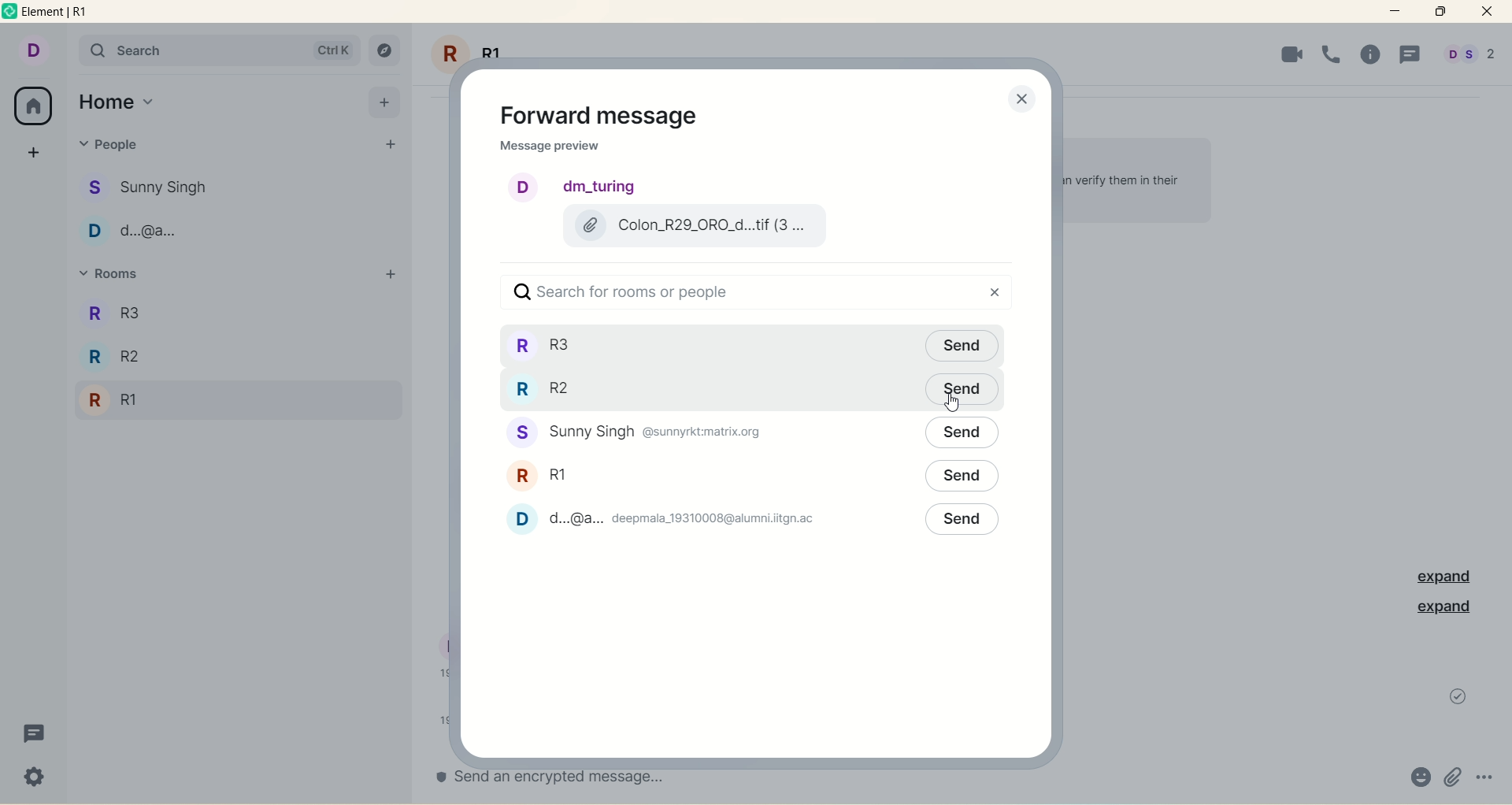 The image size is (1512, 805). Describe the element at coordinates (609, 116) in the screenshot. I see `forward message` at that location.